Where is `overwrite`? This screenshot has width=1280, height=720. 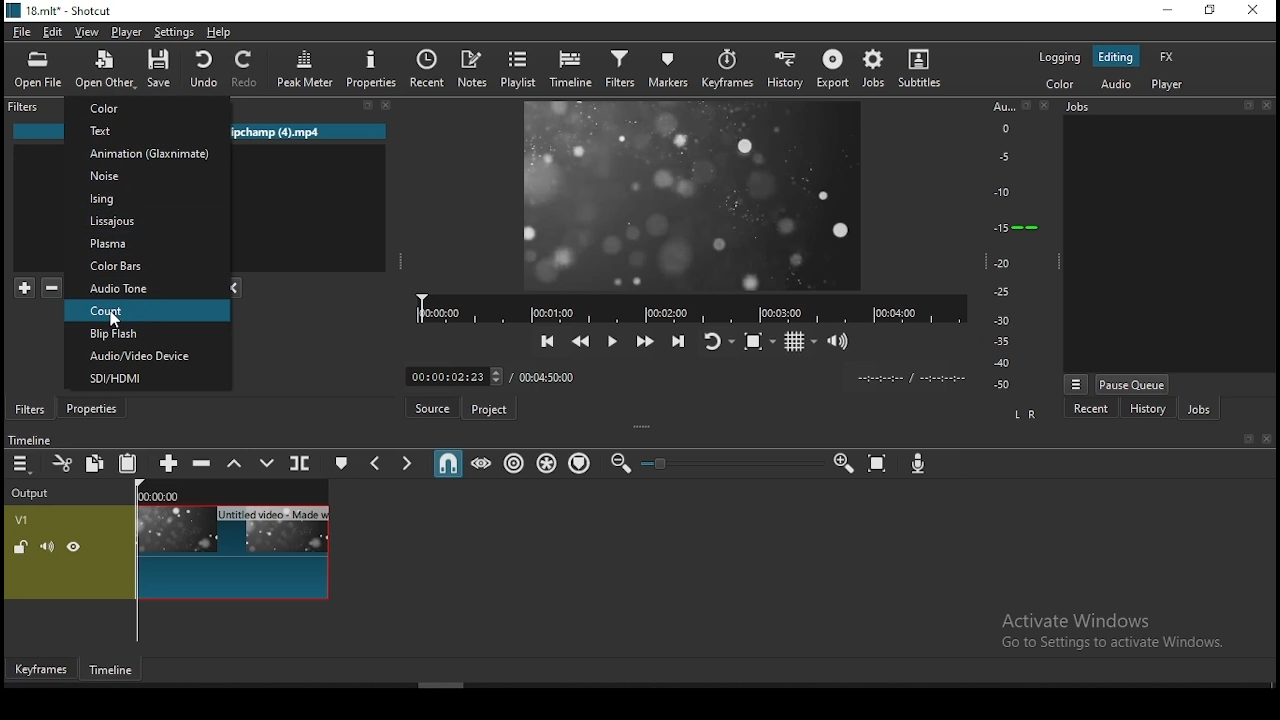 overwrite is located at coordinates (267, 464).